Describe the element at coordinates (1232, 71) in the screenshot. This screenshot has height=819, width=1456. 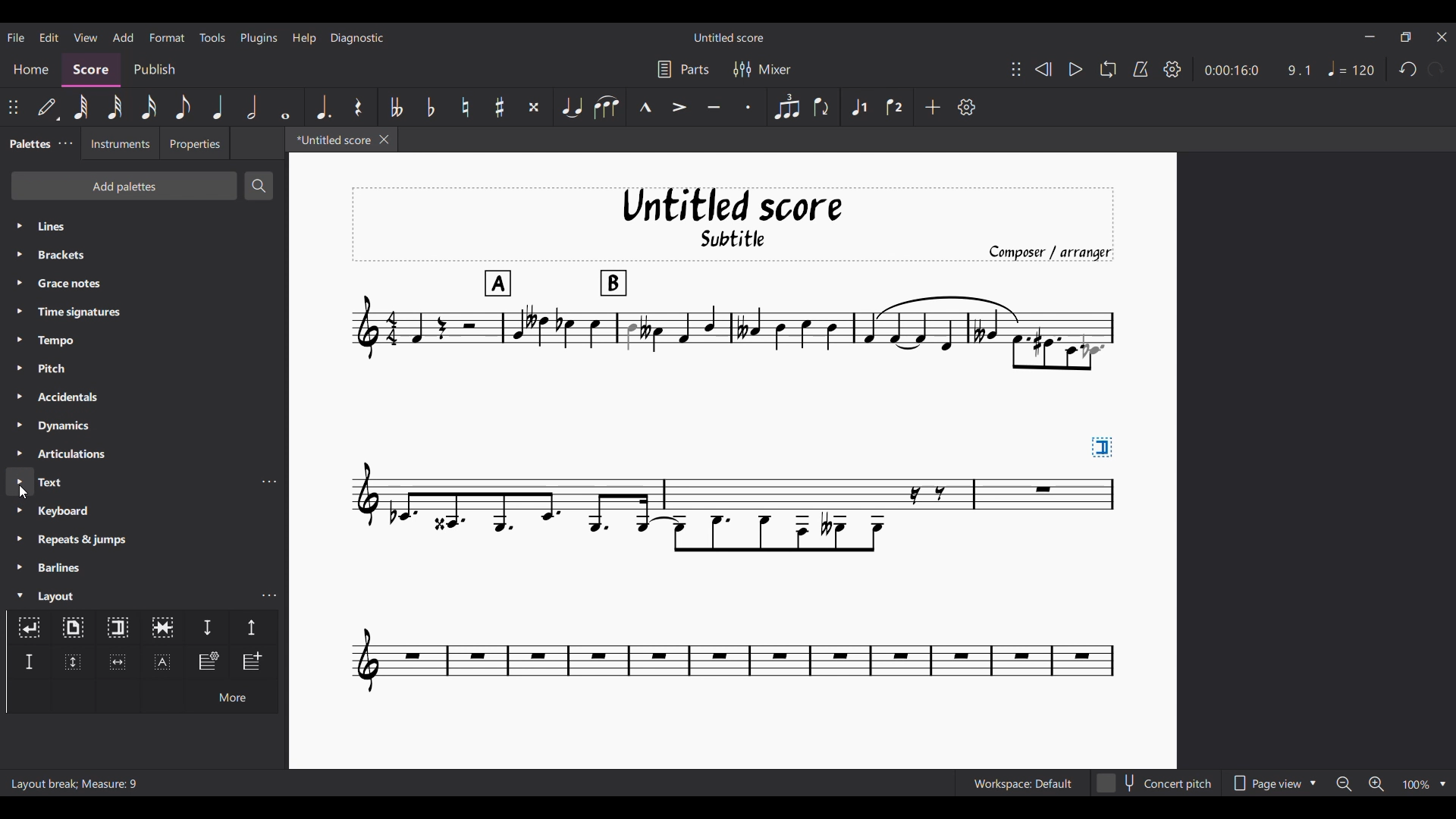
I see `0:00:16:0` at that location.